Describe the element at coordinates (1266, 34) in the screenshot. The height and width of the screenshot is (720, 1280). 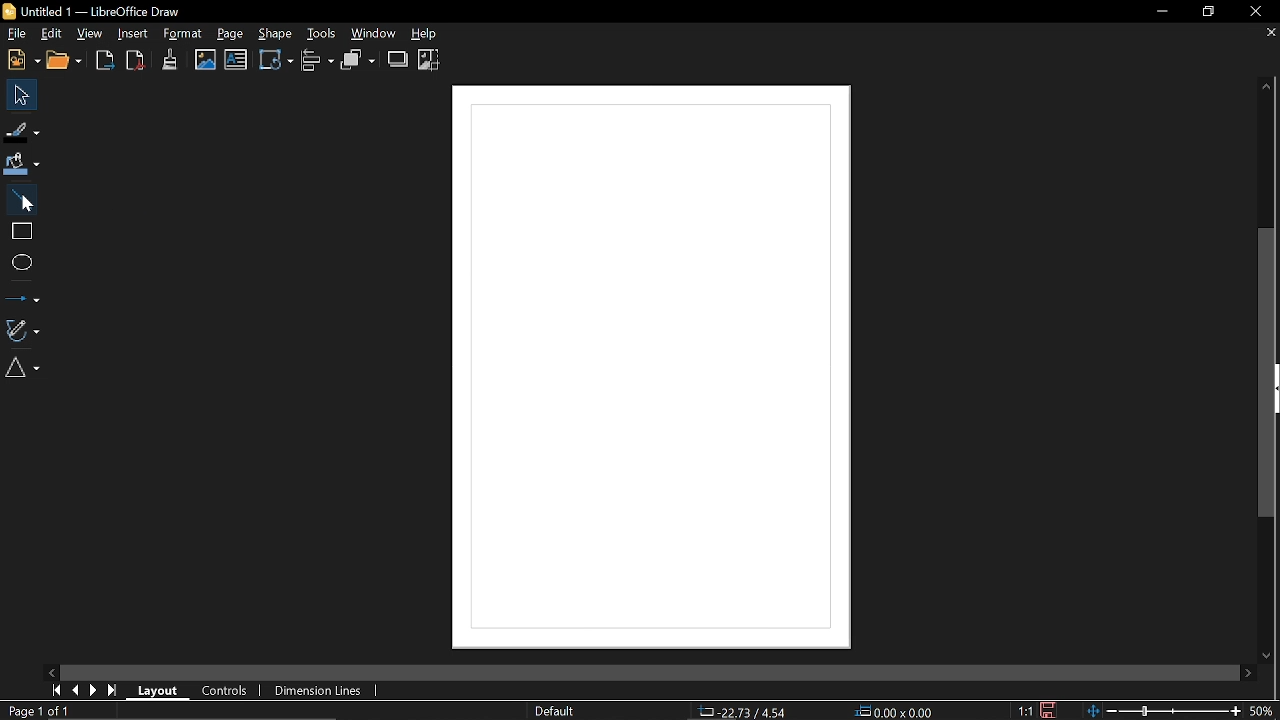
I see `Close page` at that location.